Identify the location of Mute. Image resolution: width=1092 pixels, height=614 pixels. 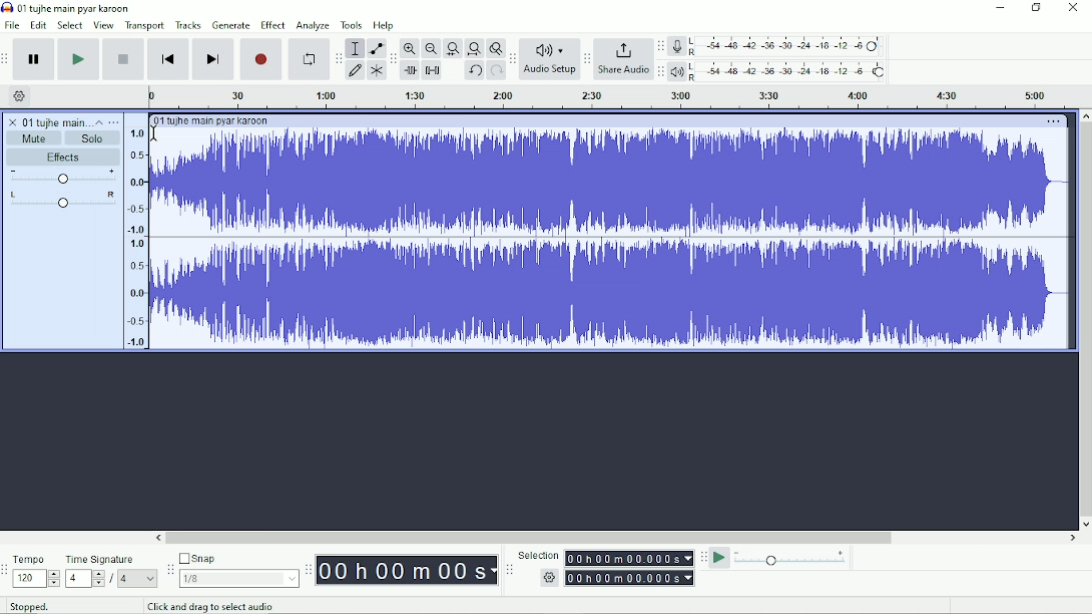
(35, 138).